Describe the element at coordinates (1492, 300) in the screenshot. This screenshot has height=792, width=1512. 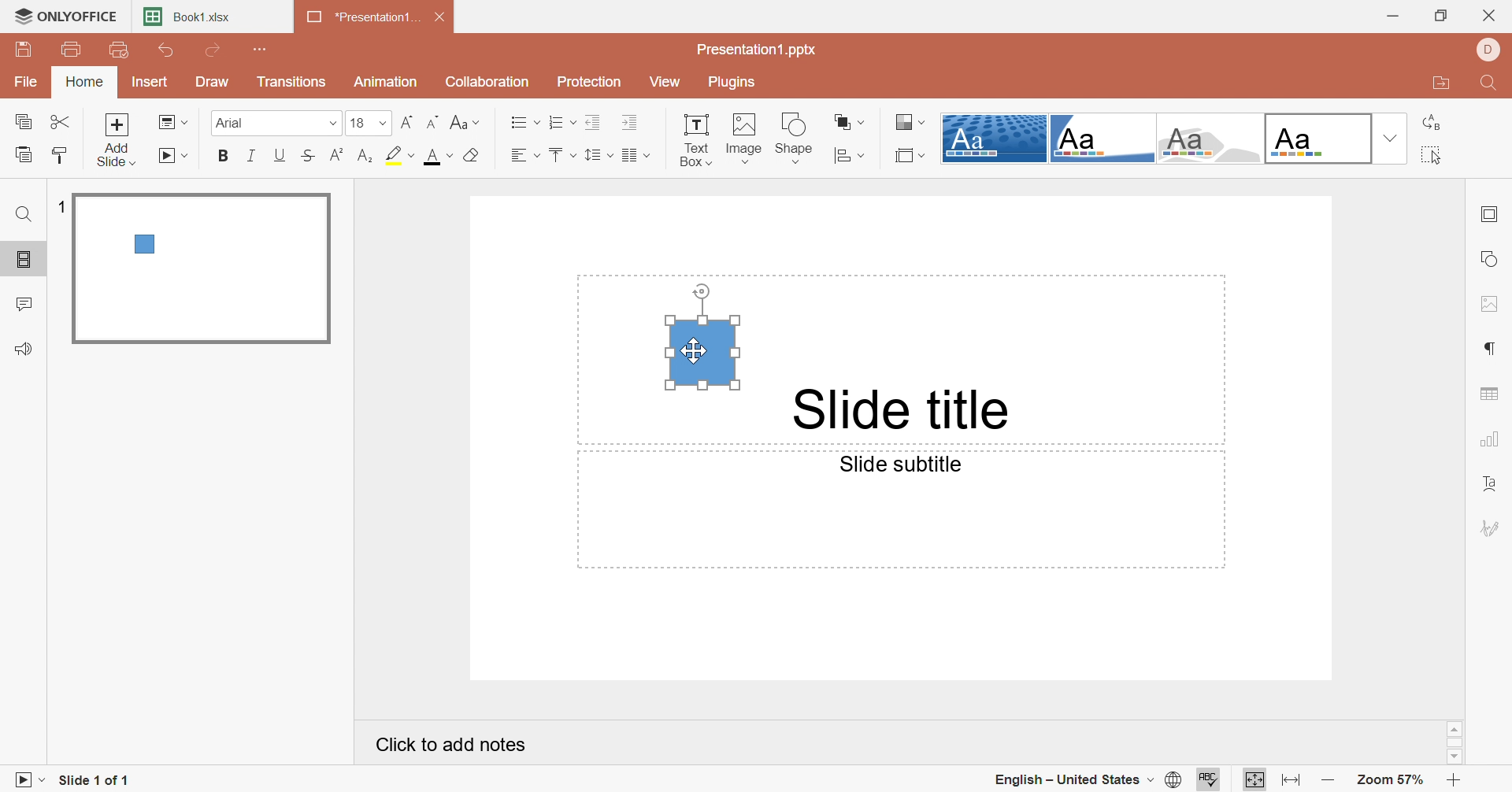
I see `Image settings` at that location.